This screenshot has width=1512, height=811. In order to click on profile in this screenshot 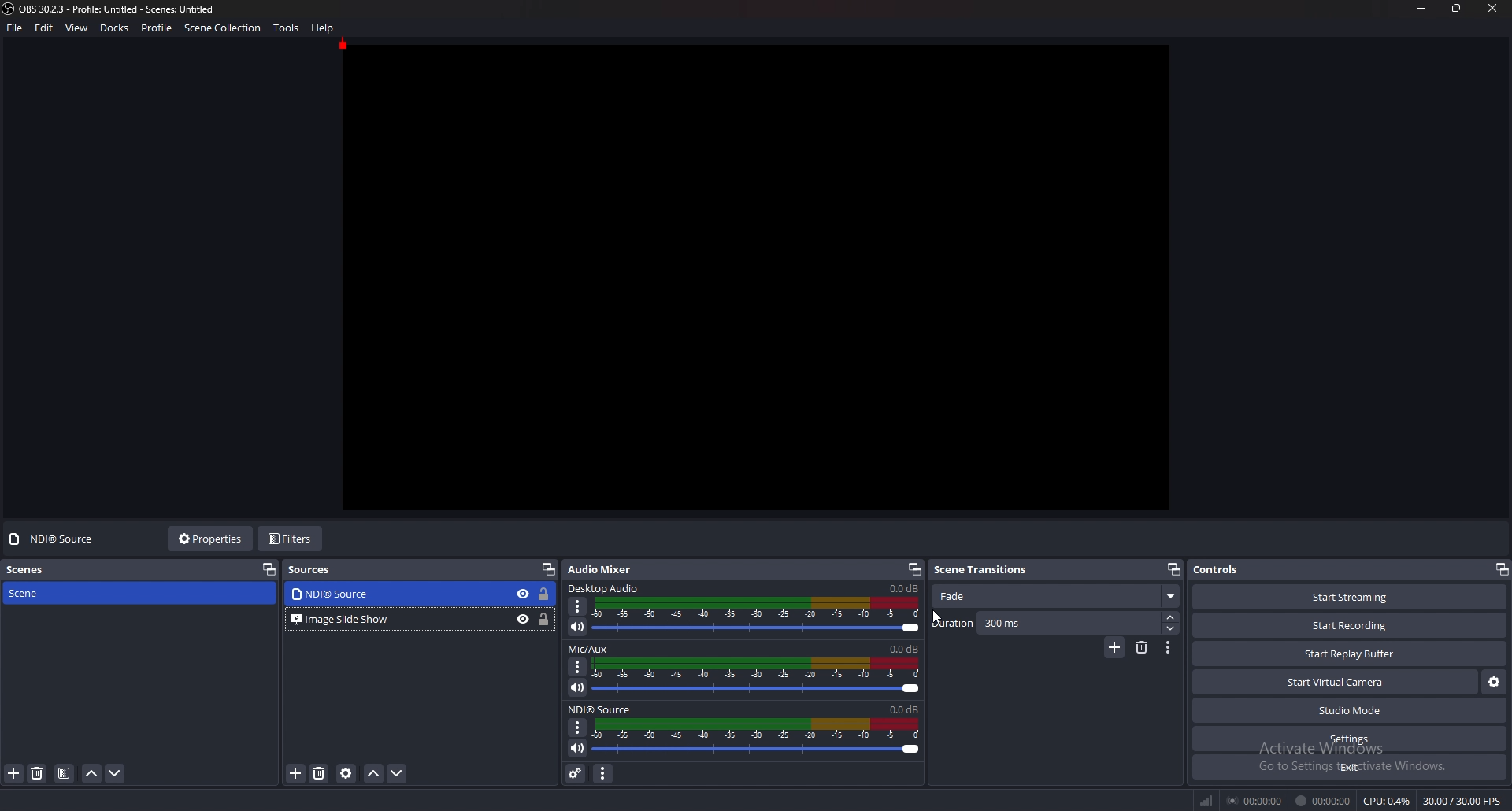, I will do `click(157, 28)`.